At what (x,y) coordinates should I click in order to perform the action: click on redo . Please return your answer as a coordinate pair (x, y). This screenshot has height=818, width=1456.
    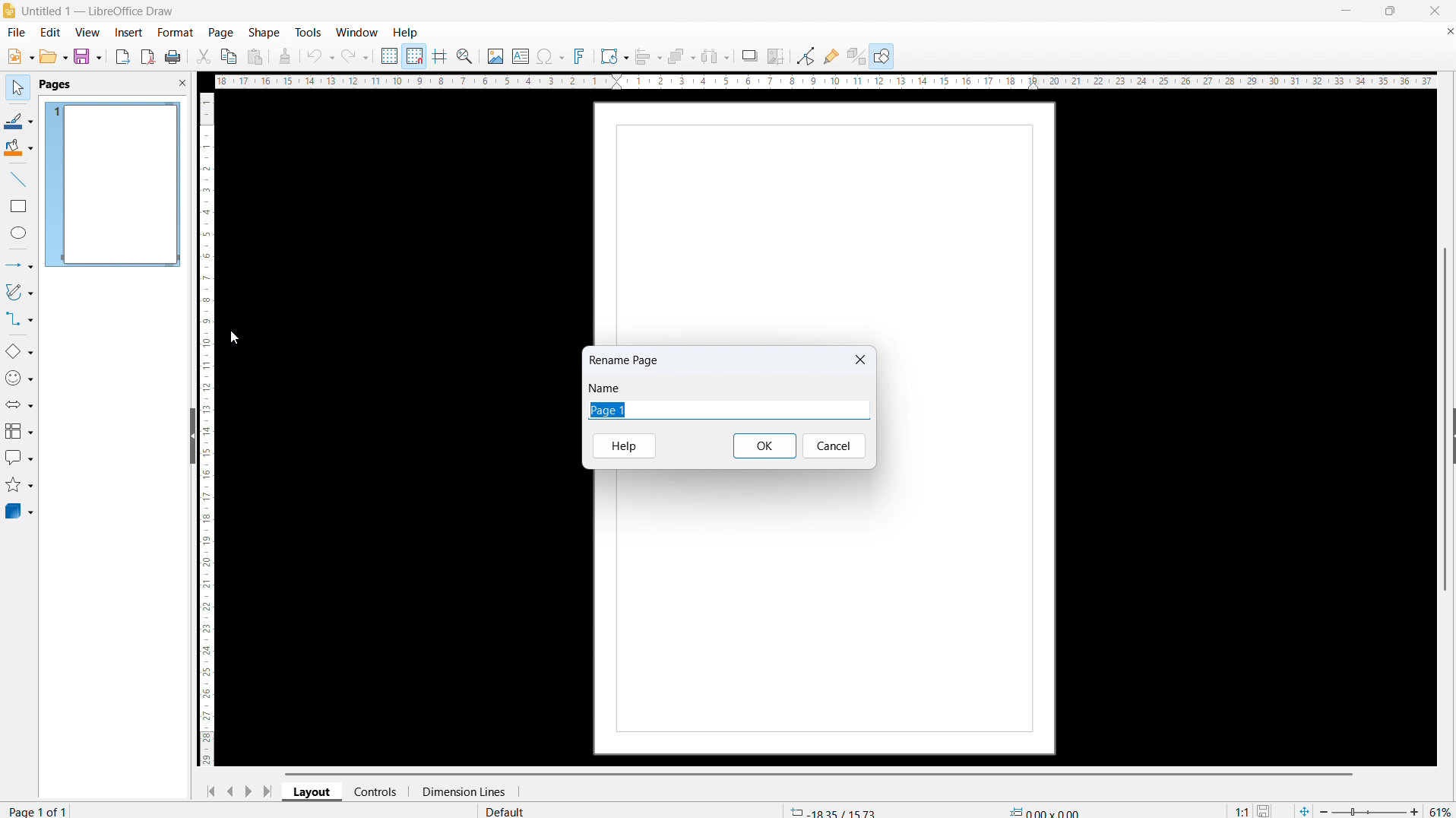
    Looking at the image, I should click on (356, 55).